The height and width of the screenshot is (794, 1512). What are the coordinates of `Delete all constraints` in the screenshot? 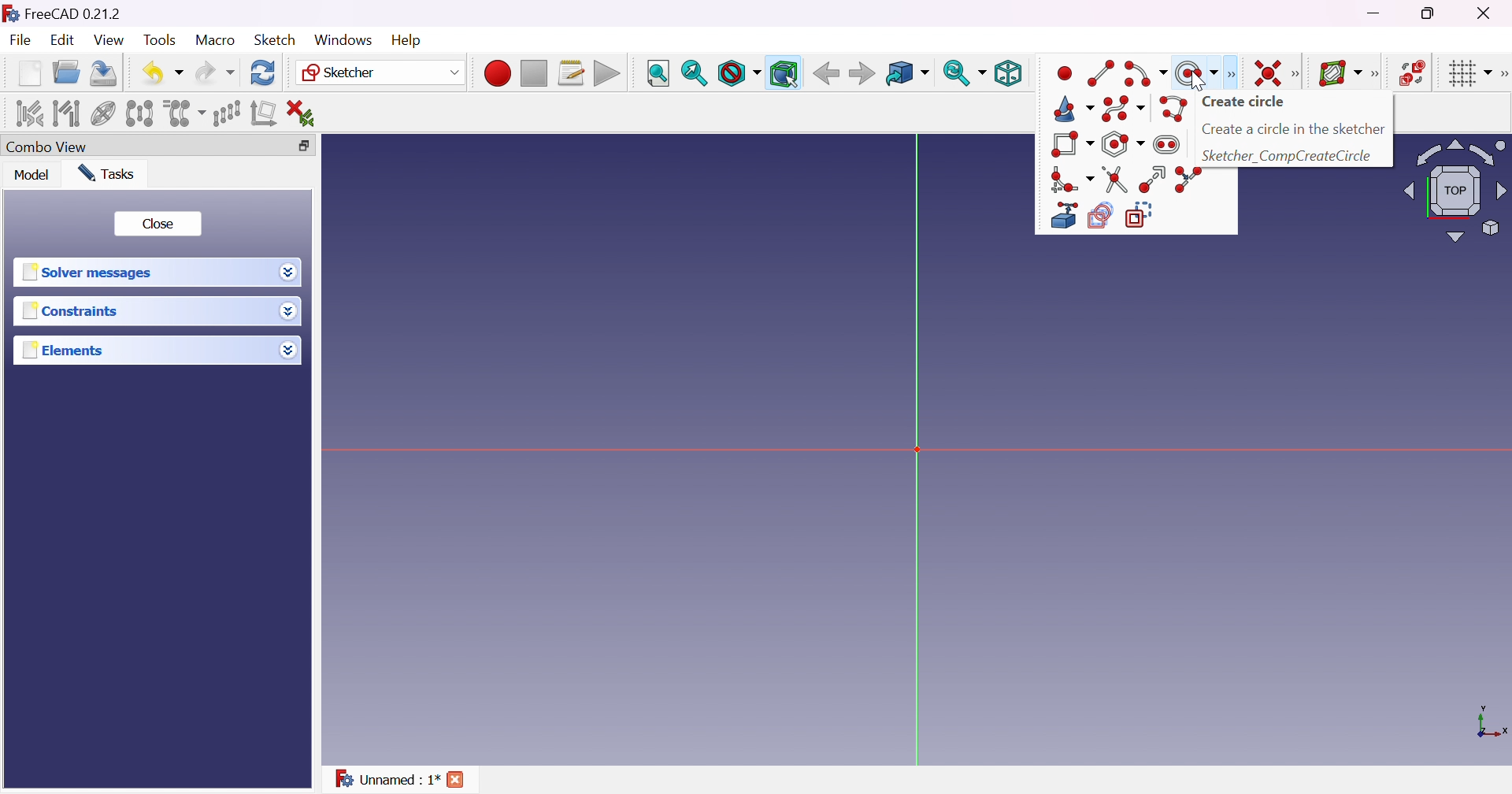 It's located at (307, 113).